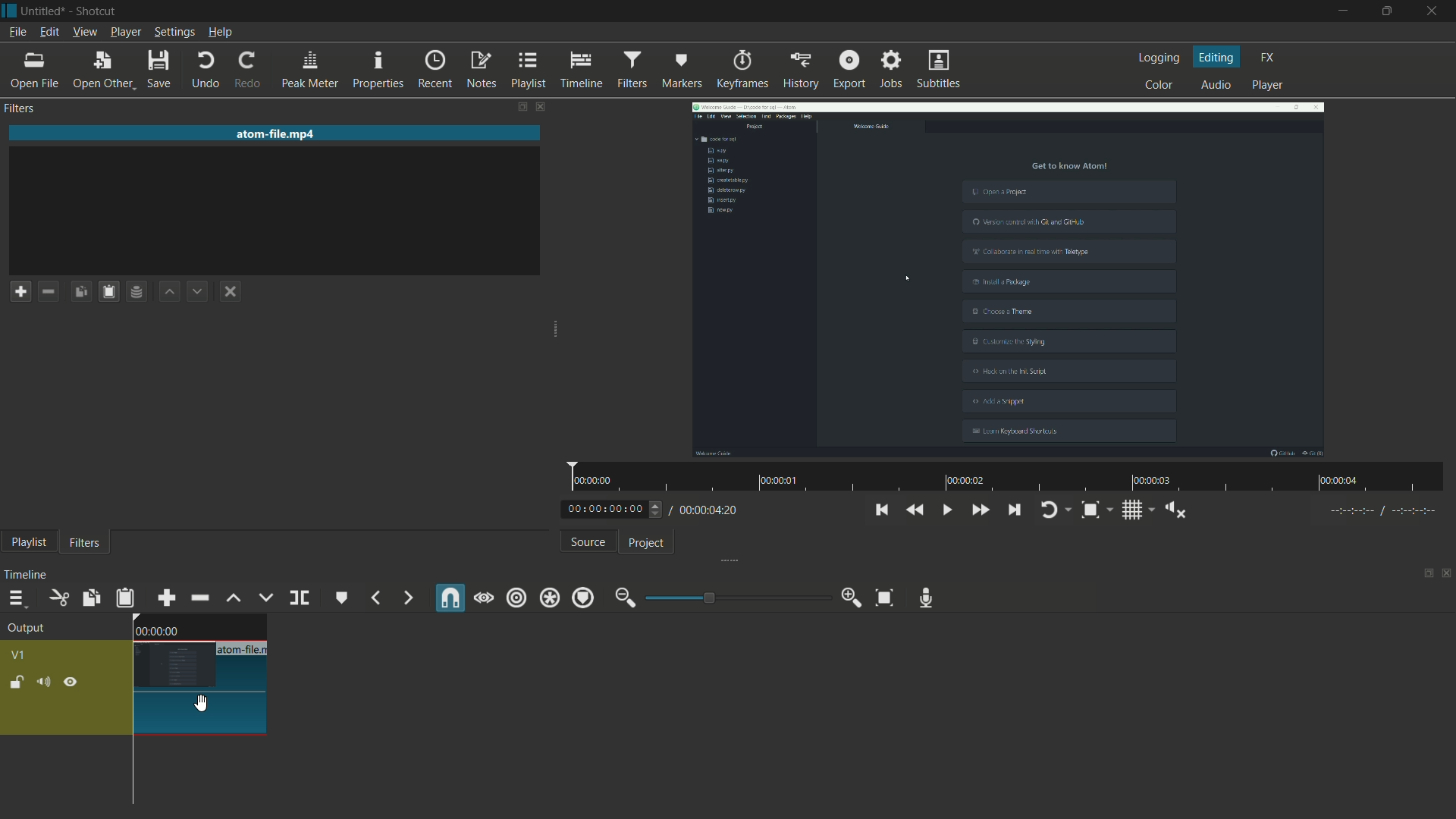 Image resolution: width=1456 pixels, height=819 pixels. What do you see at coordinates (49, 31) in the screenshot?
I see `edit menu` at bounding box center [49, 31].